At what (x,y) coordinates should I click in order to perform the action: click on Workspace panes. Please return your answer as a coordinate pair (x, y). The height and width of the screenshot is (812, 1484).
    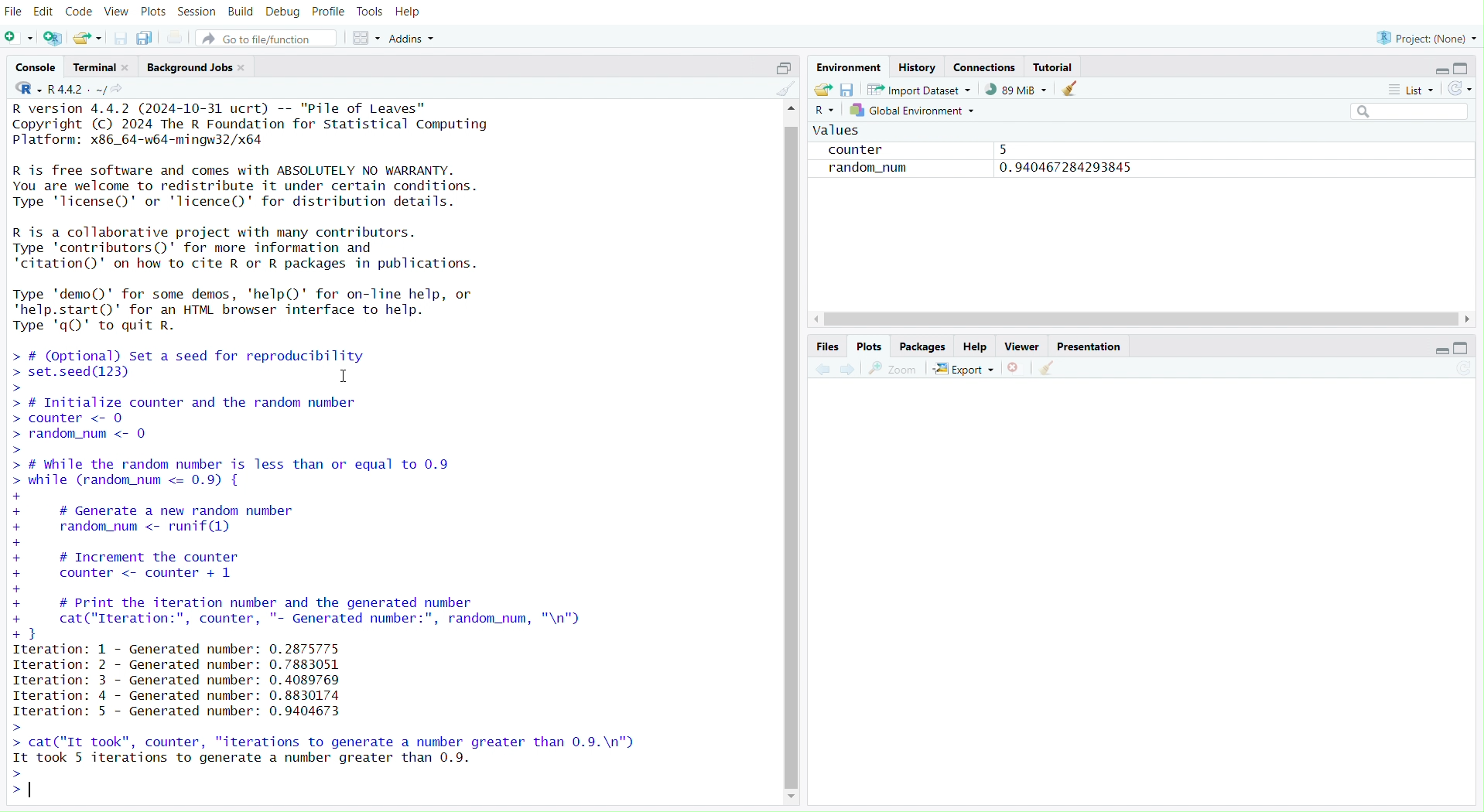
    Looking at the image, I should click on (366, 36).